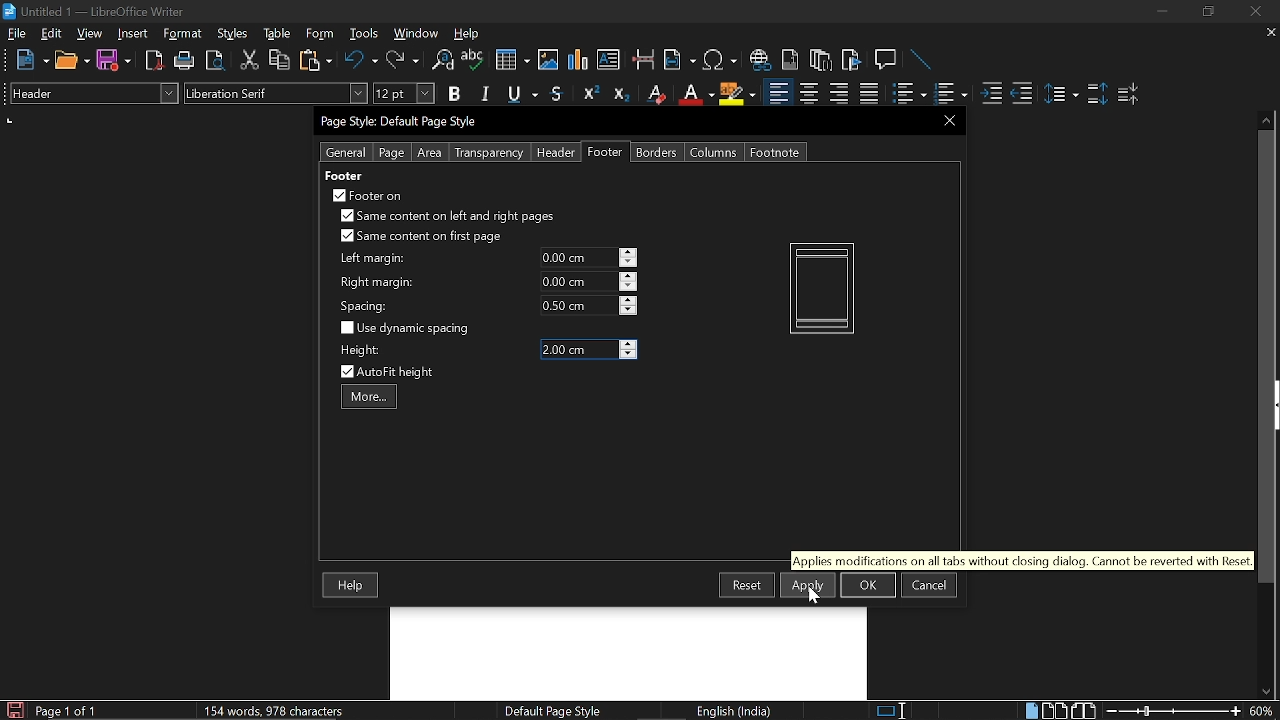 This screenshot has height=720, width=1280. What do you see at coordinates (552, 153) in the screenshot?
I see `Header` at bounding box center [552, 153].